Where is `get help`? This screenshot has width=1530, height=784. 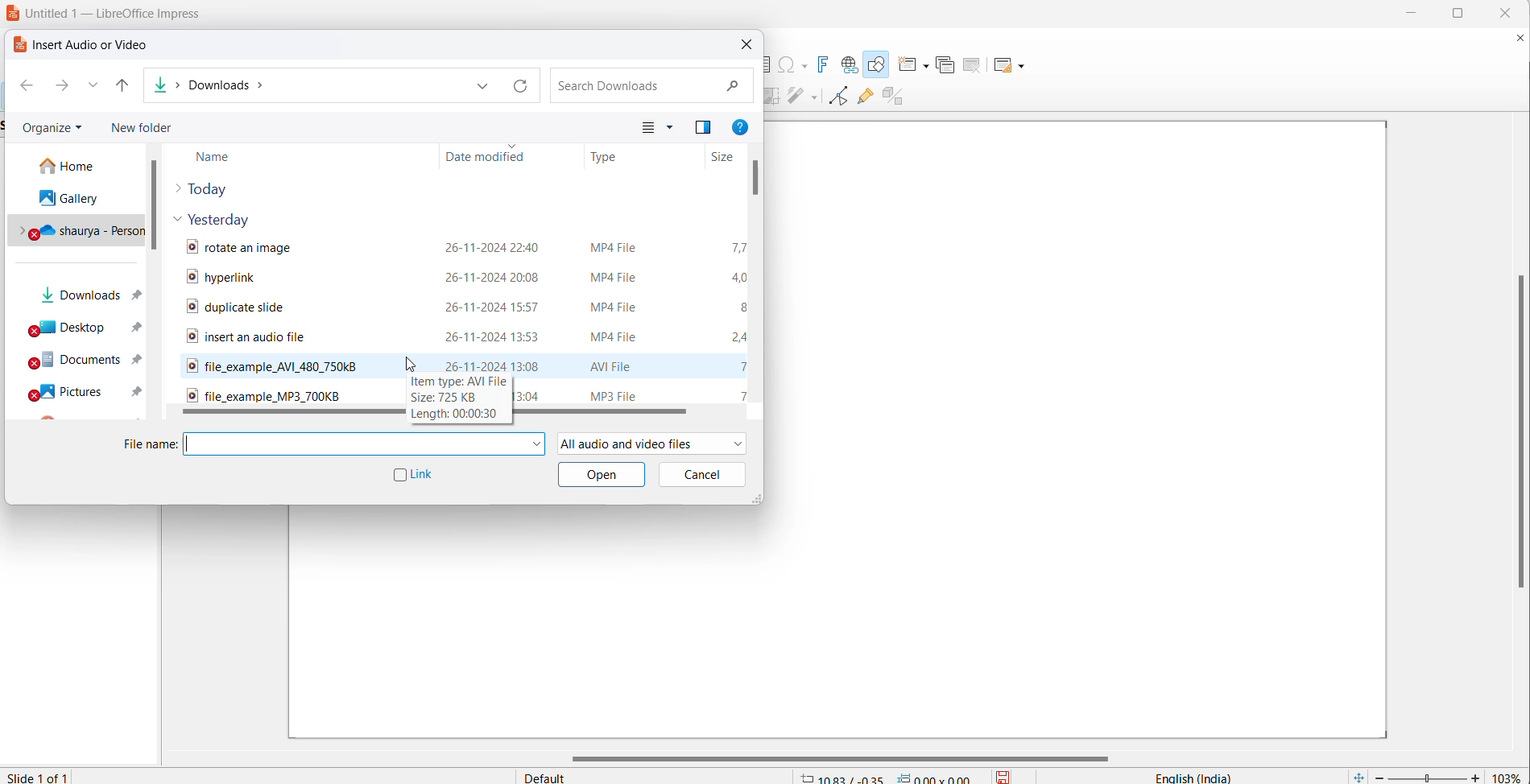 get help is located at coordinates (743, 125).